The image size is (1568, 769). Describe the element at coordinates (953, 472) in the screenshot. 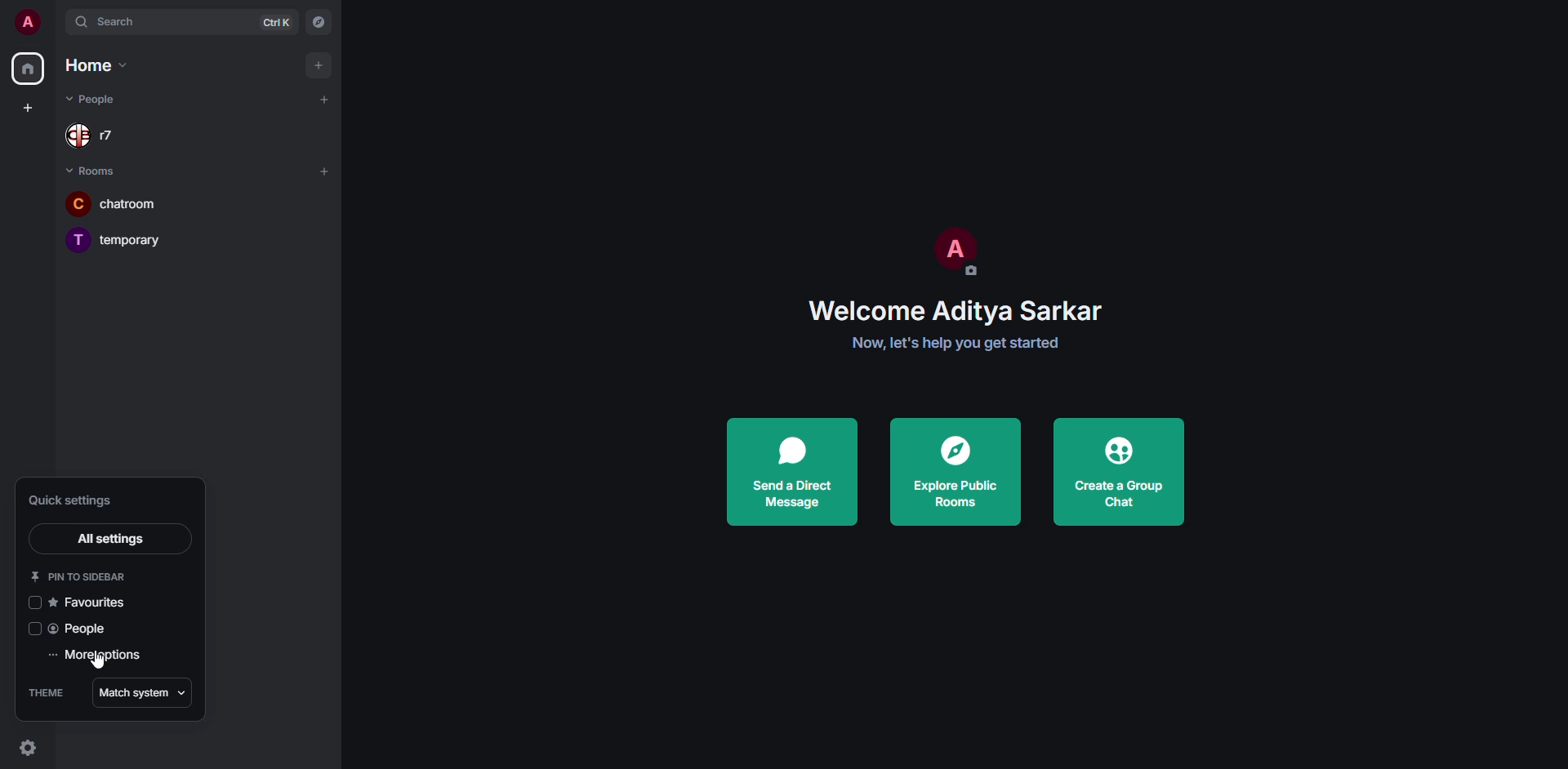

I see `explore public rooms` at that location.